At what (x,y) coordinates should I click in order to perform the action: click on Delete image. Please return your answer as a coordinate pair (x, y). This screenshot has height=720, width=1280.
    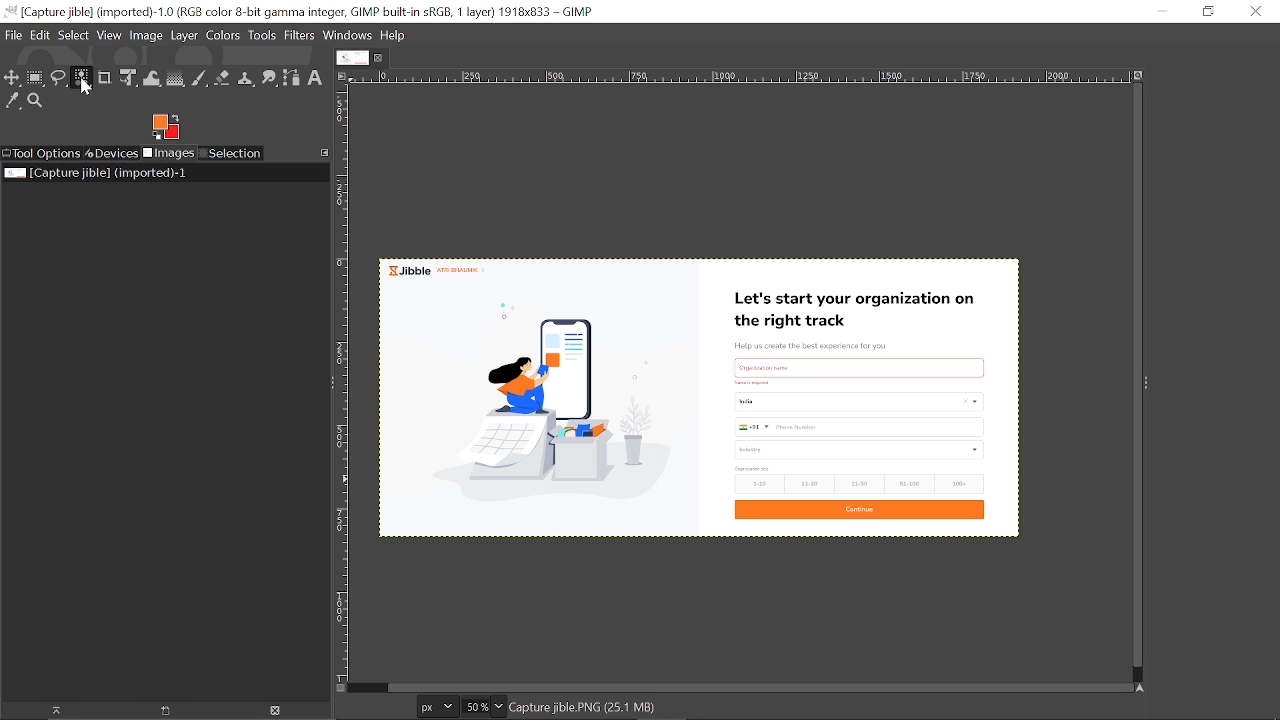
    Looking at the image, I should click on (277, 711).